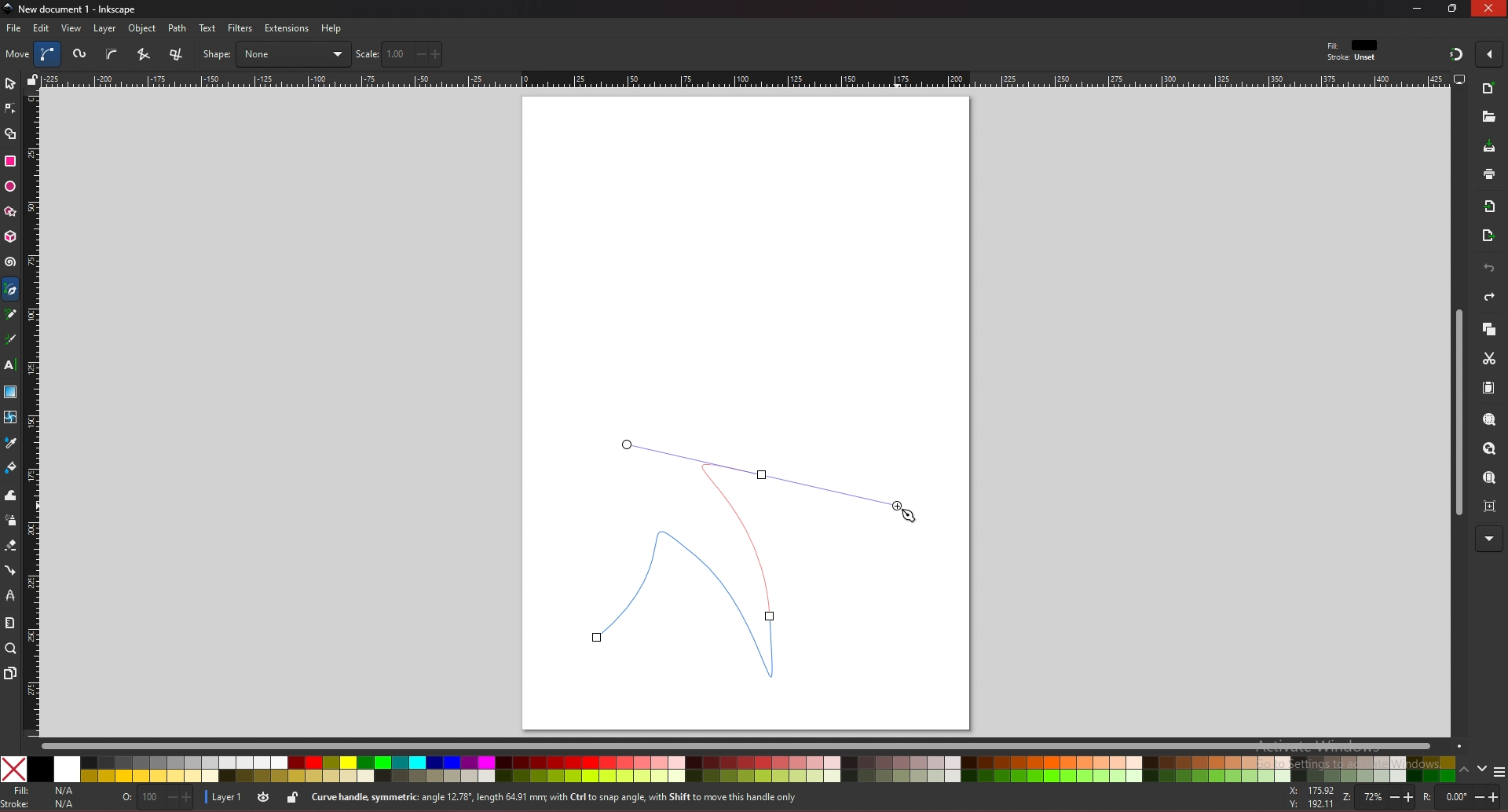 The width and height of the screenshot is (1508, 812). What do you see at coordinates (1354, 46) in the screenshot?
I see `fit` at bounding box center [1354, 46].